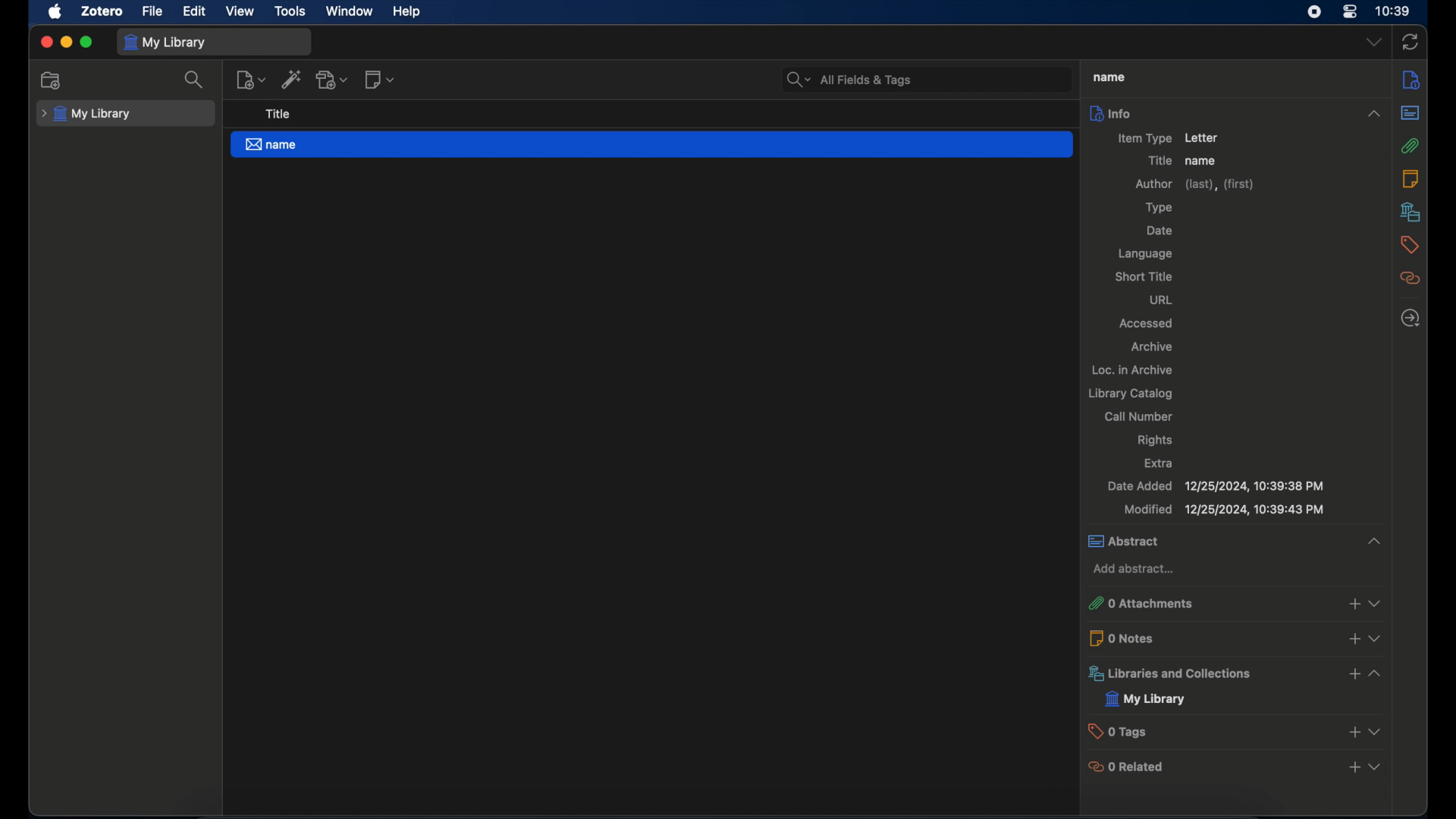 The image size is (1456, 819). What do you see at coordinates (1410, 212) in the screenshot?
I see `libraries` at bounding box center [1410, 212].